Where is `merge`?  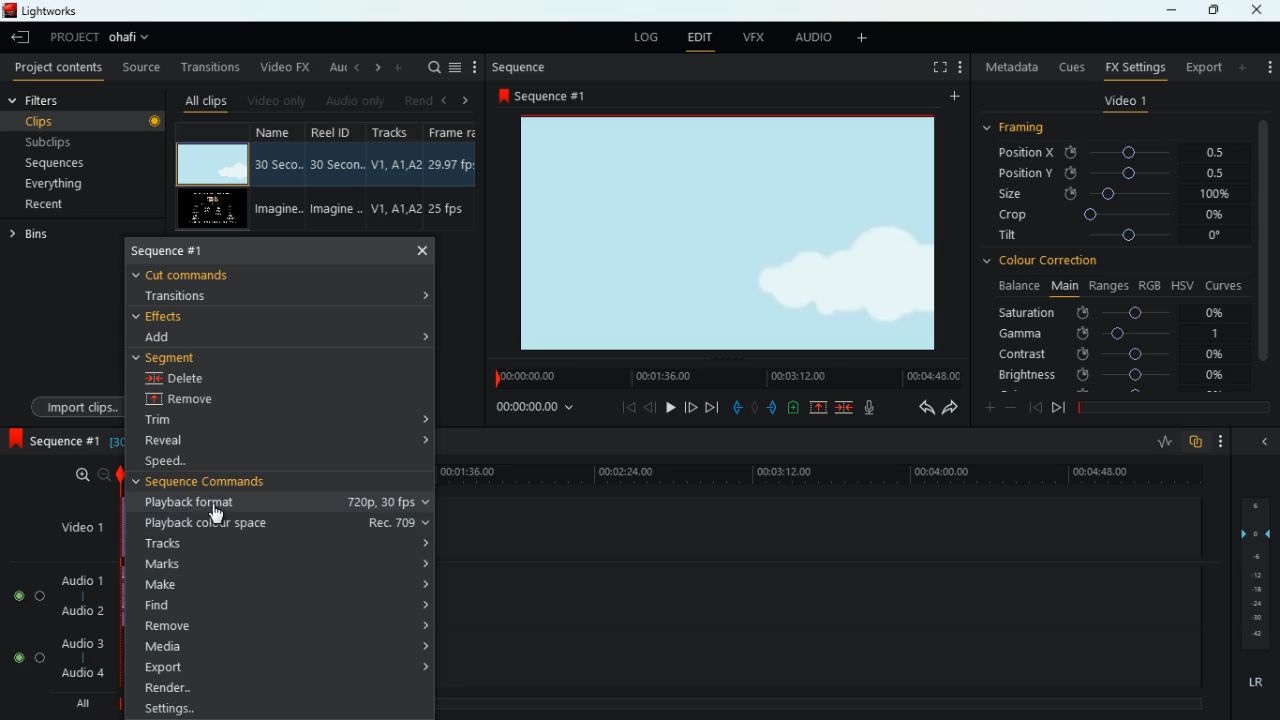
merge is located at coordinates (847, 409).